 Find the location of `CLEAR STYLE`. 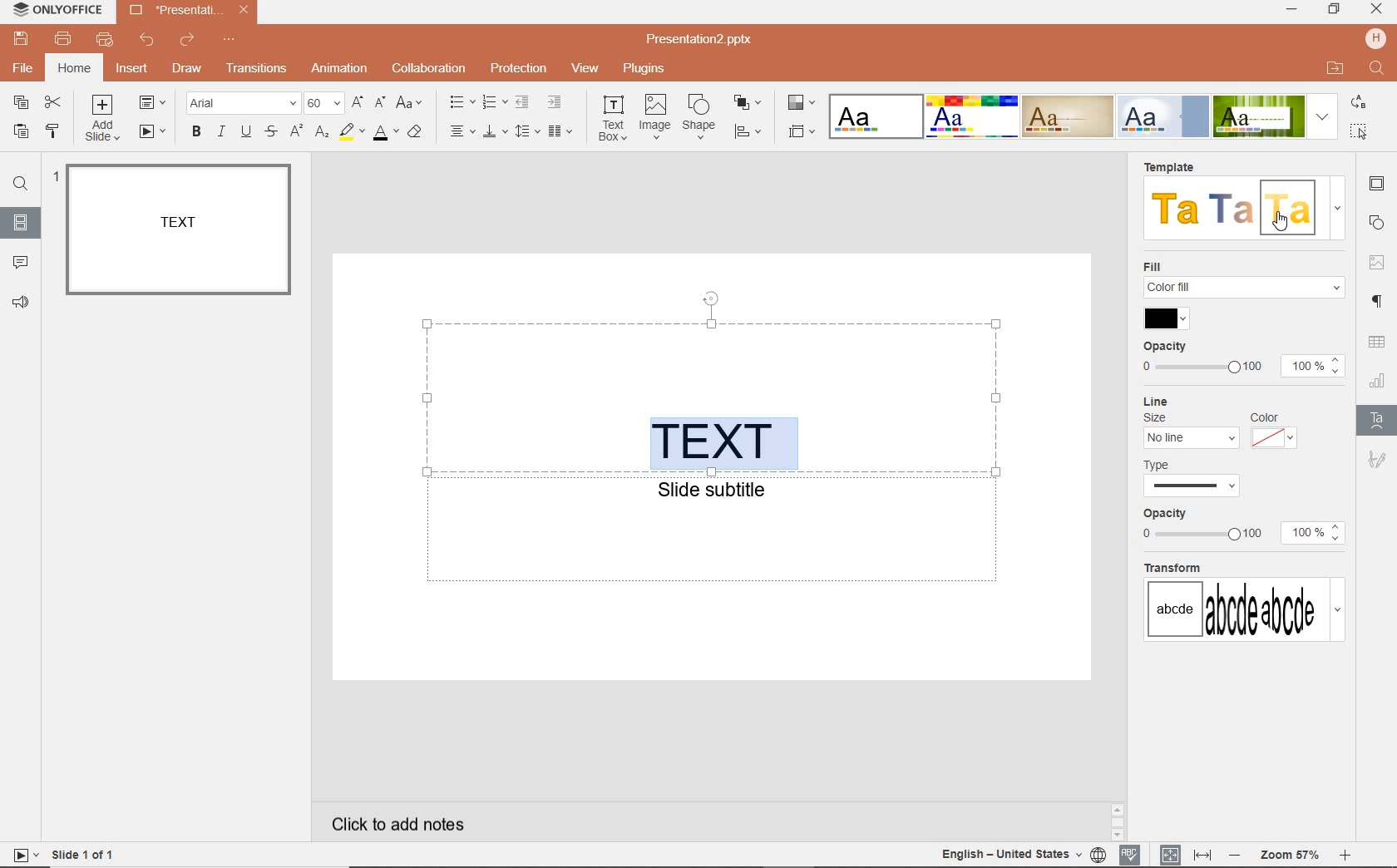

CLEAR STYLE is located at coordinates (419, 131).